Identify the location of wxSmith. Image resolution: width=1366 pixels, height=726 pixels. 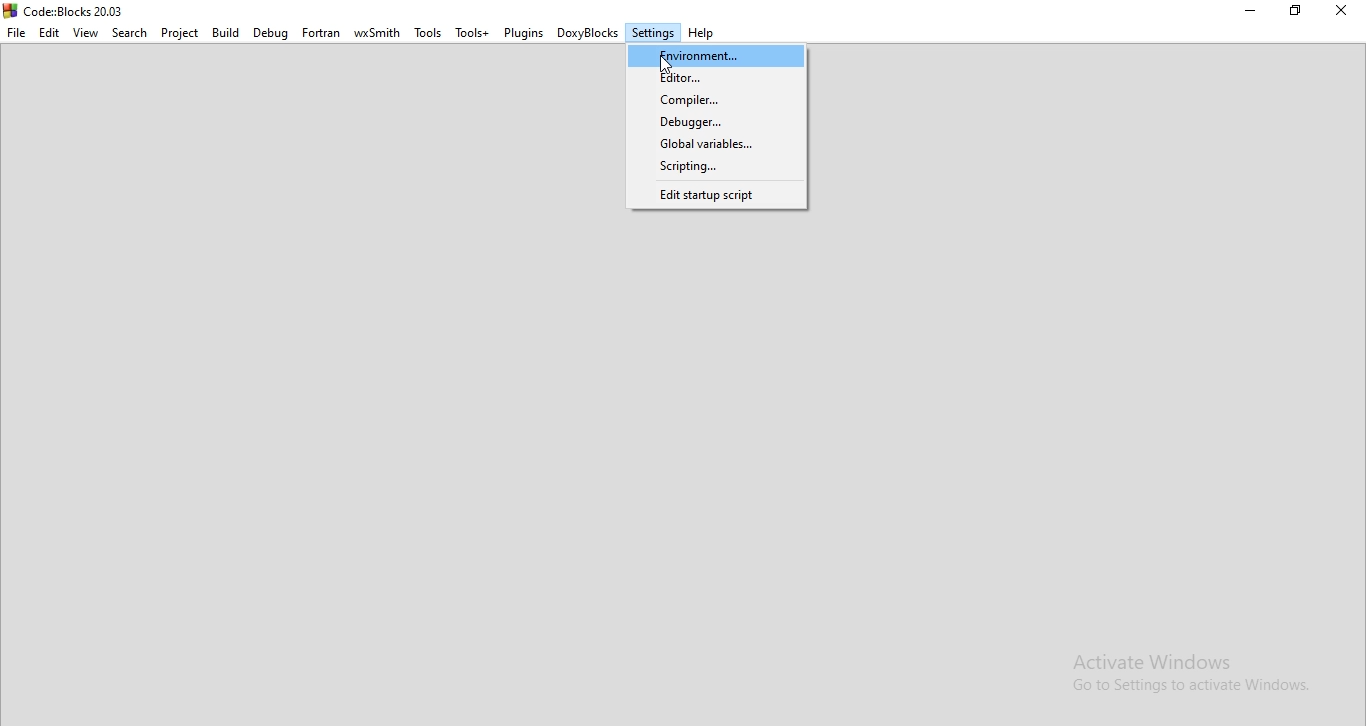
(380, 34).